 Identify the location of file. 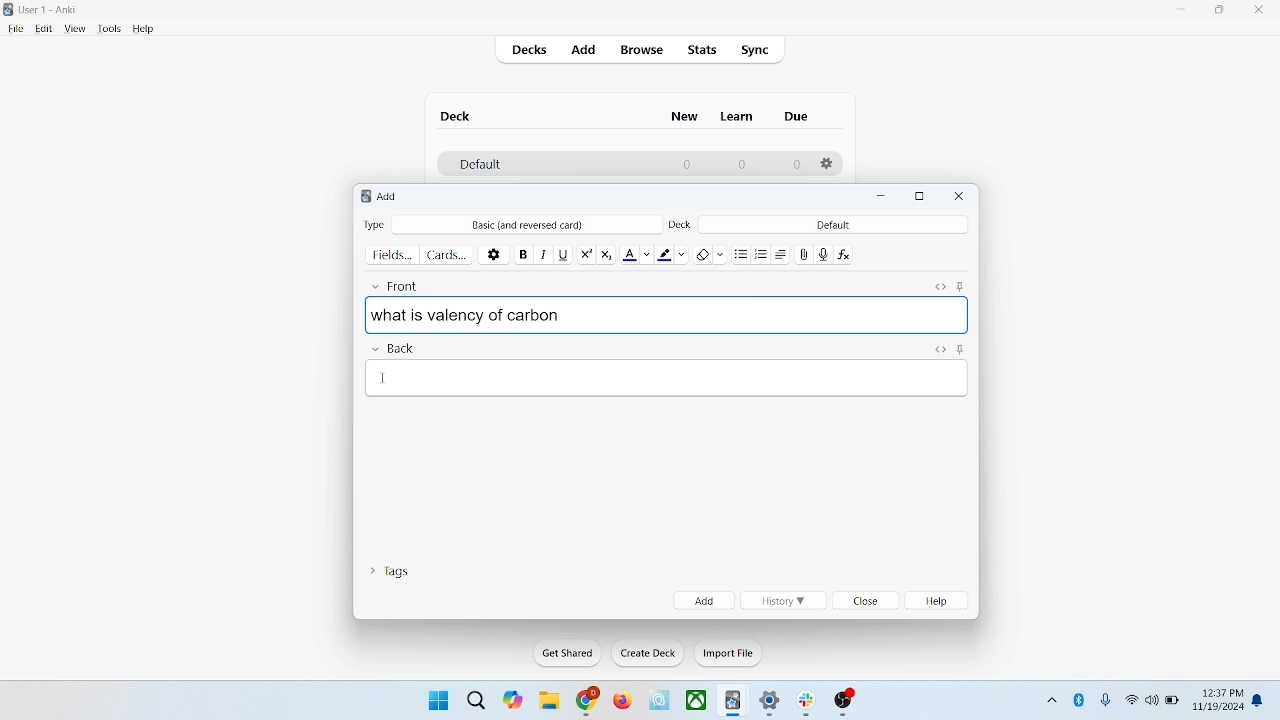
(15, 29).